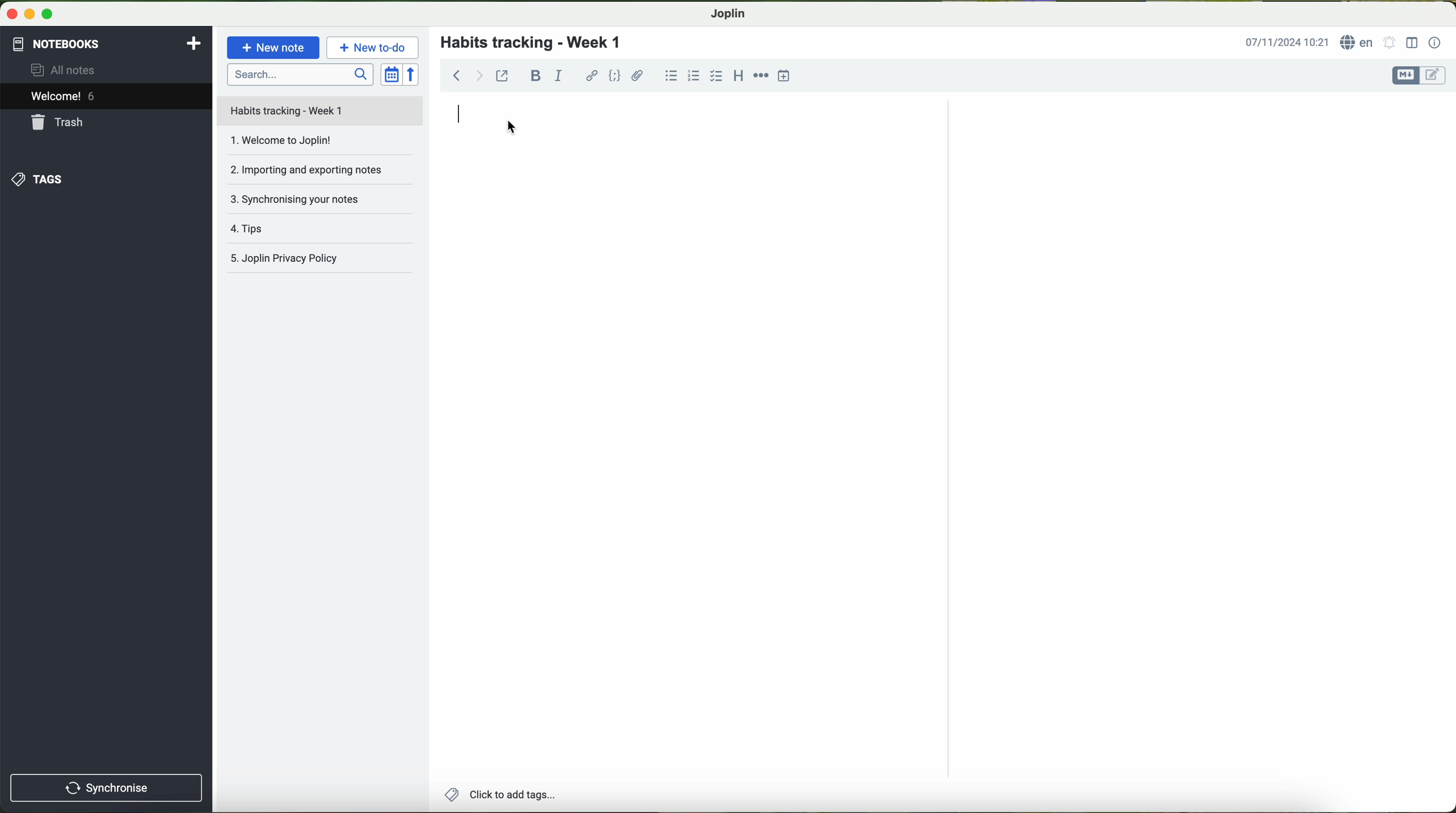 This screenshot has height=813, width=1456. What do you see at coordinates (737, 75) in the screenshot?
I see `heading` at bounding box center [737, 75].